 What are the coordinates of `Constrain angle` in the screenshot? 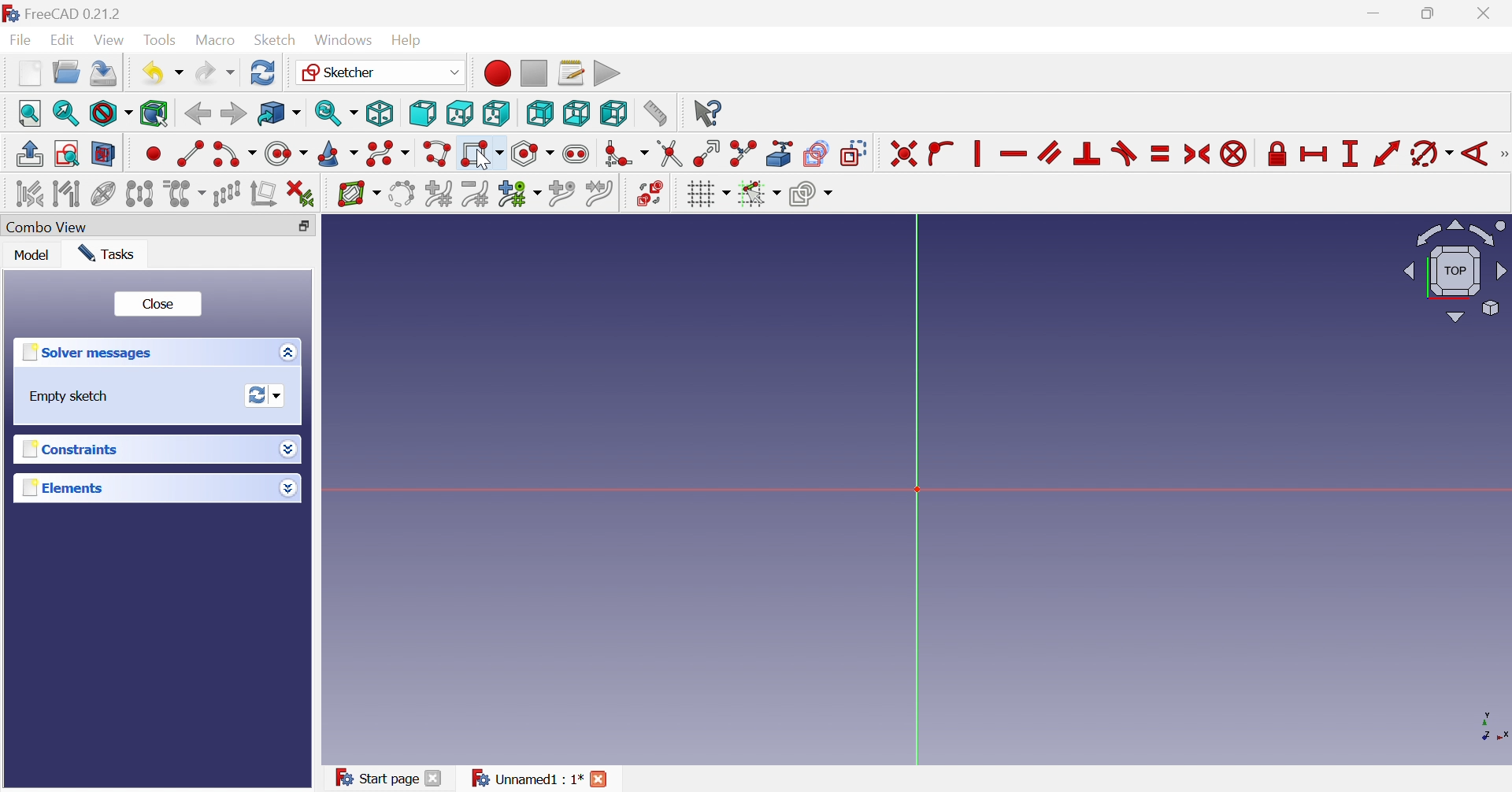 It's located at (1476, 154).